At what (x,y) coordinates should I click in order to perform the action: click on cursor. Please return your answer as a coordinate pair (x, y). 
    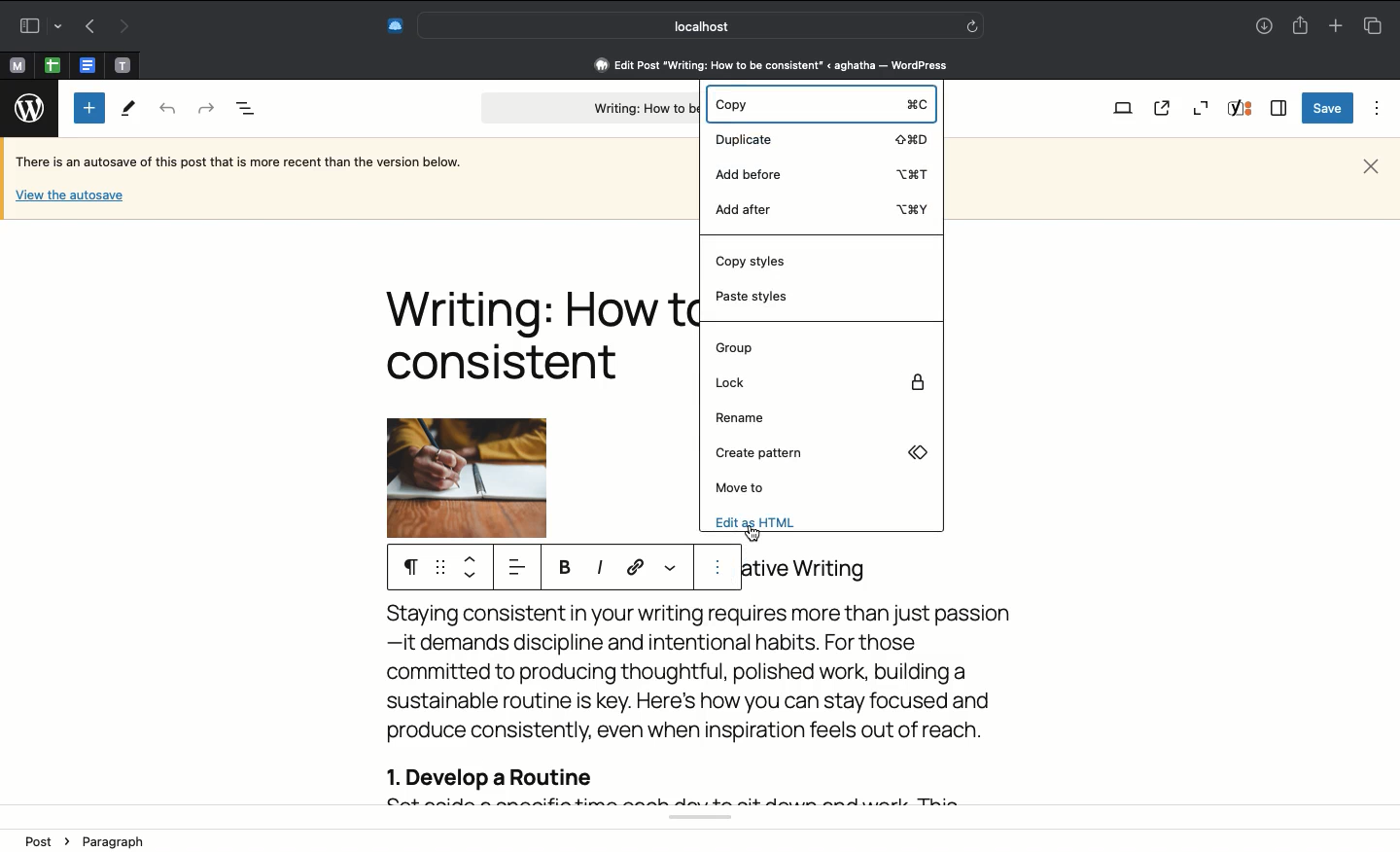
    Looking at the image, I should click on (752, 533).